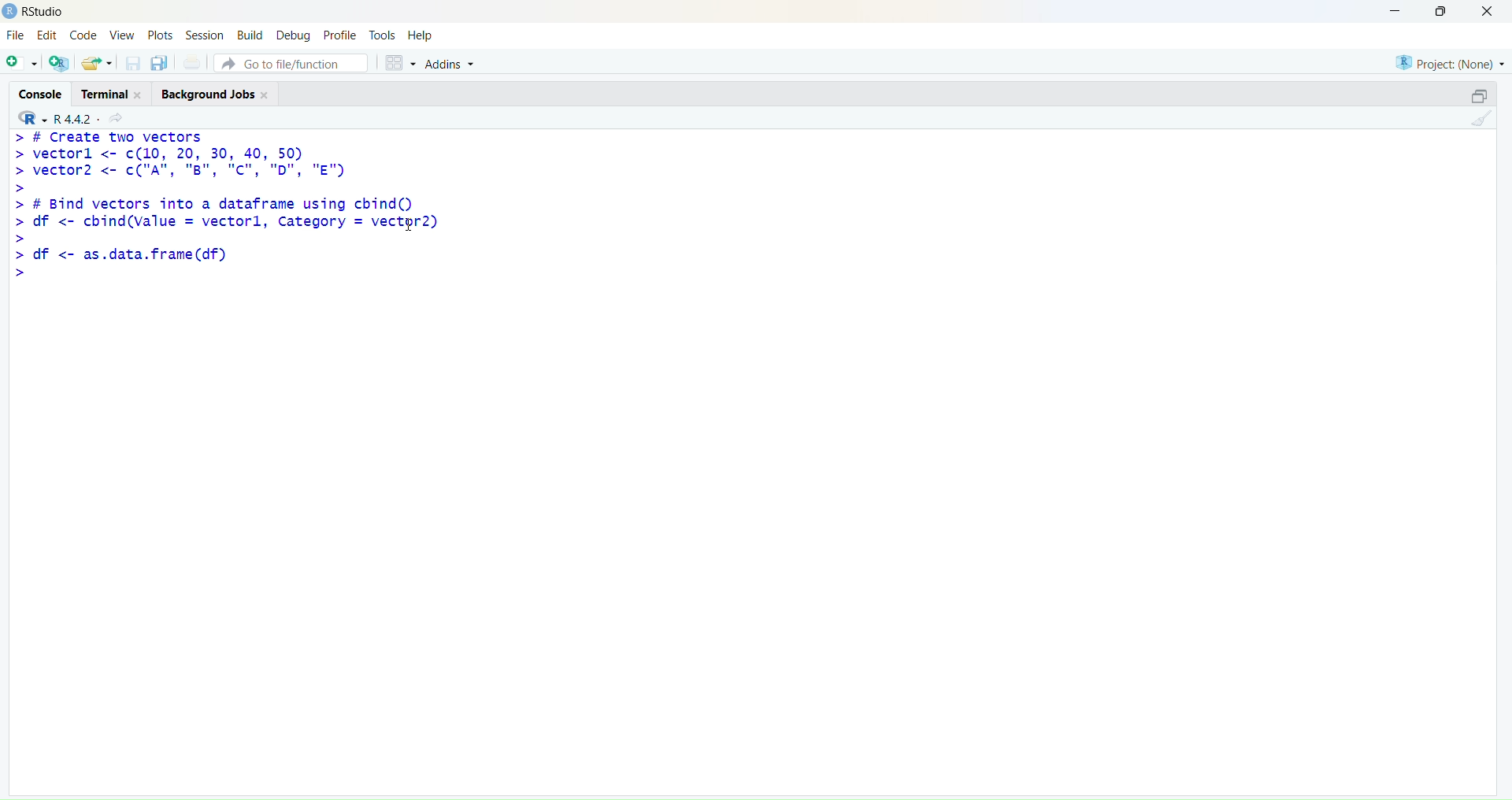 This screenshot has height=800, width=1512. I want to click on Minimize, so click(1395, 12).